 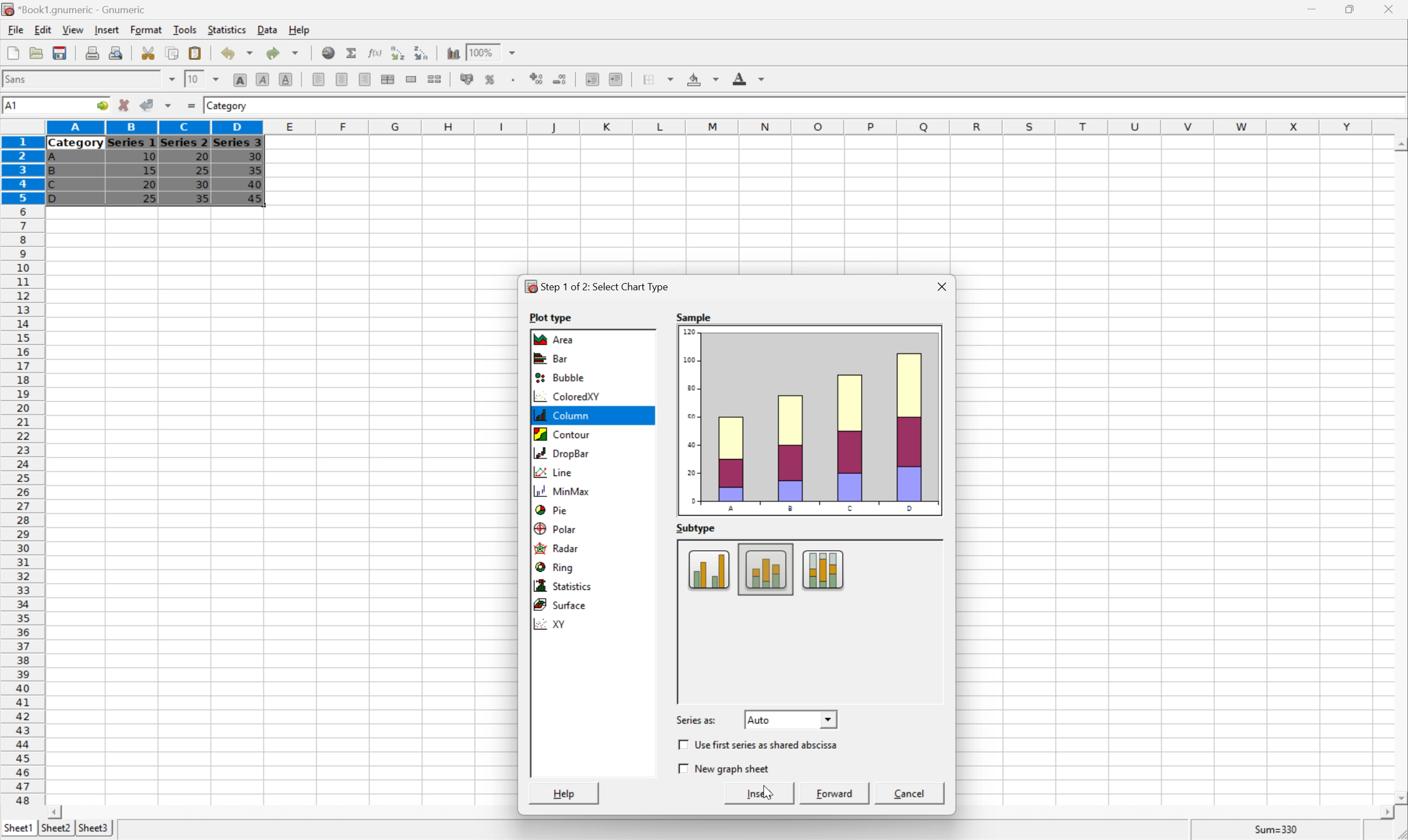 What do you see at coordinates (564, 396) in the screenshot?
I see `ColoredXY` at bounding box center [564, 396].